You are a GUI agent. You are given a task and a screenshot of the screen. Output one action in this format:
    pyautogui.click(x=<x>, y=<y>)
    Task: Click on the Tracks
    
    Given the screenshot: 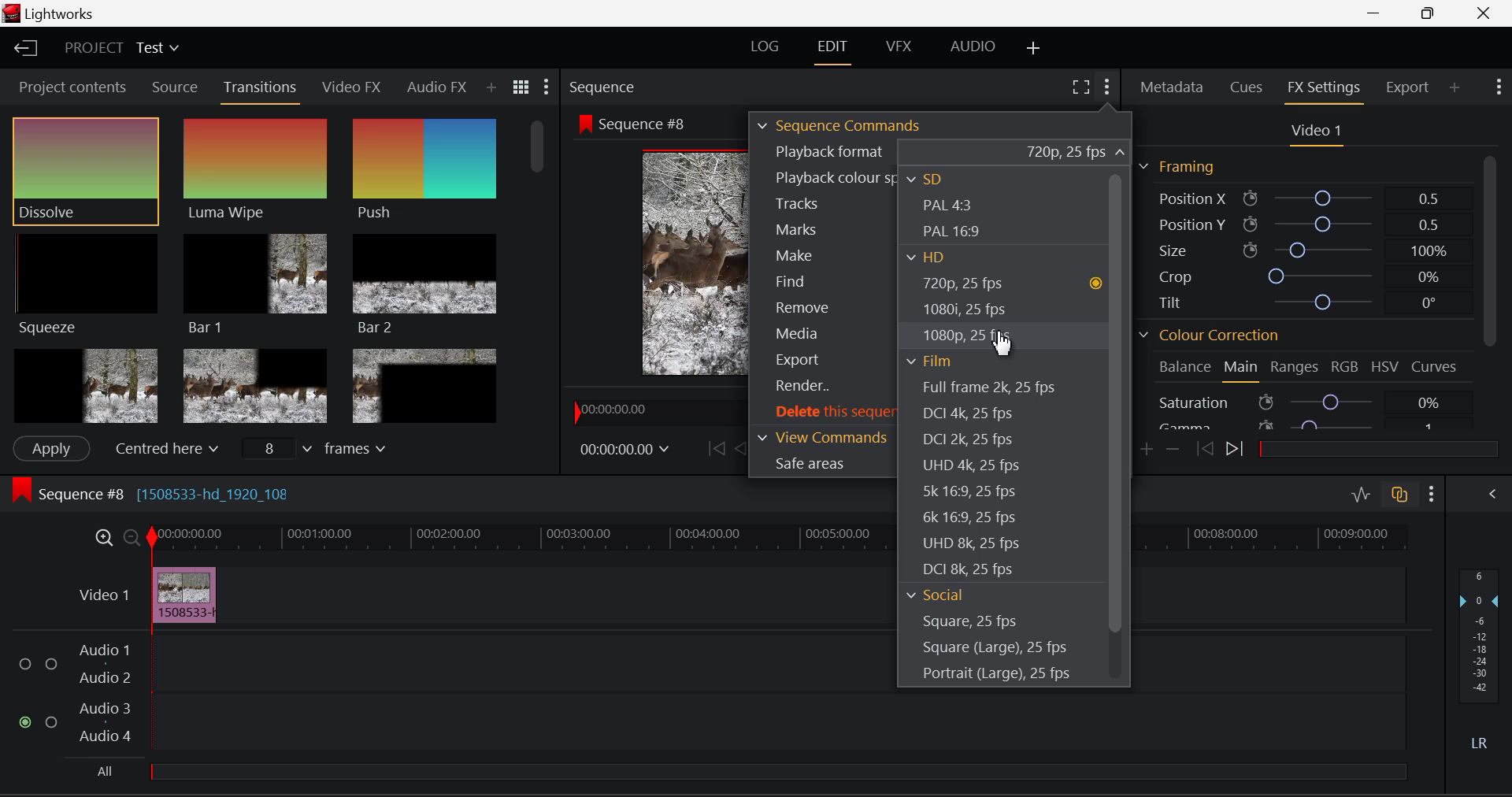 What is the action you would take?
    pyautogui.click(x=821, y=202)
    